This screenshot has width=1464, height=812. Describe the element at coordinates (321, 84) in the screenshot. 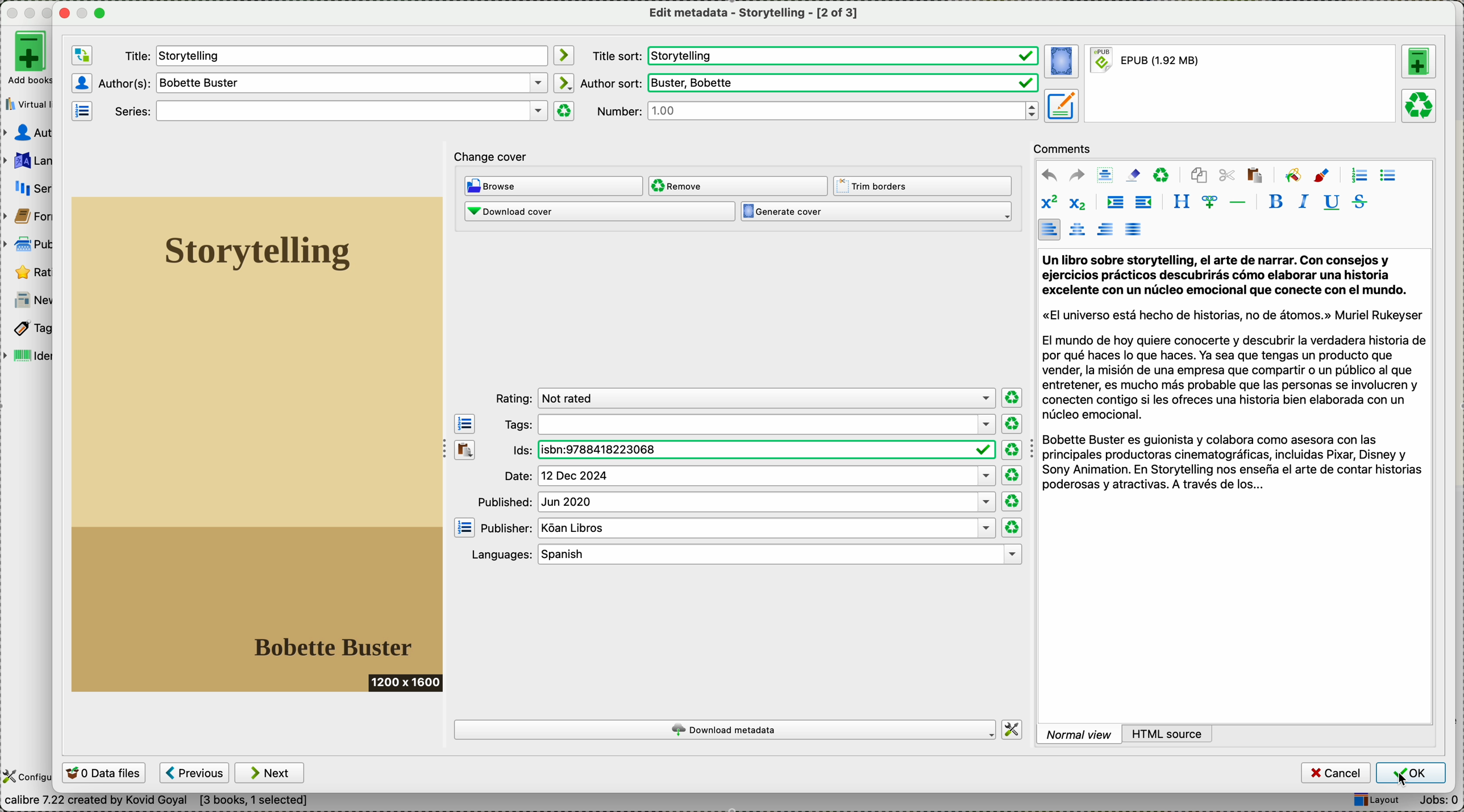

I see `authors` at that location.